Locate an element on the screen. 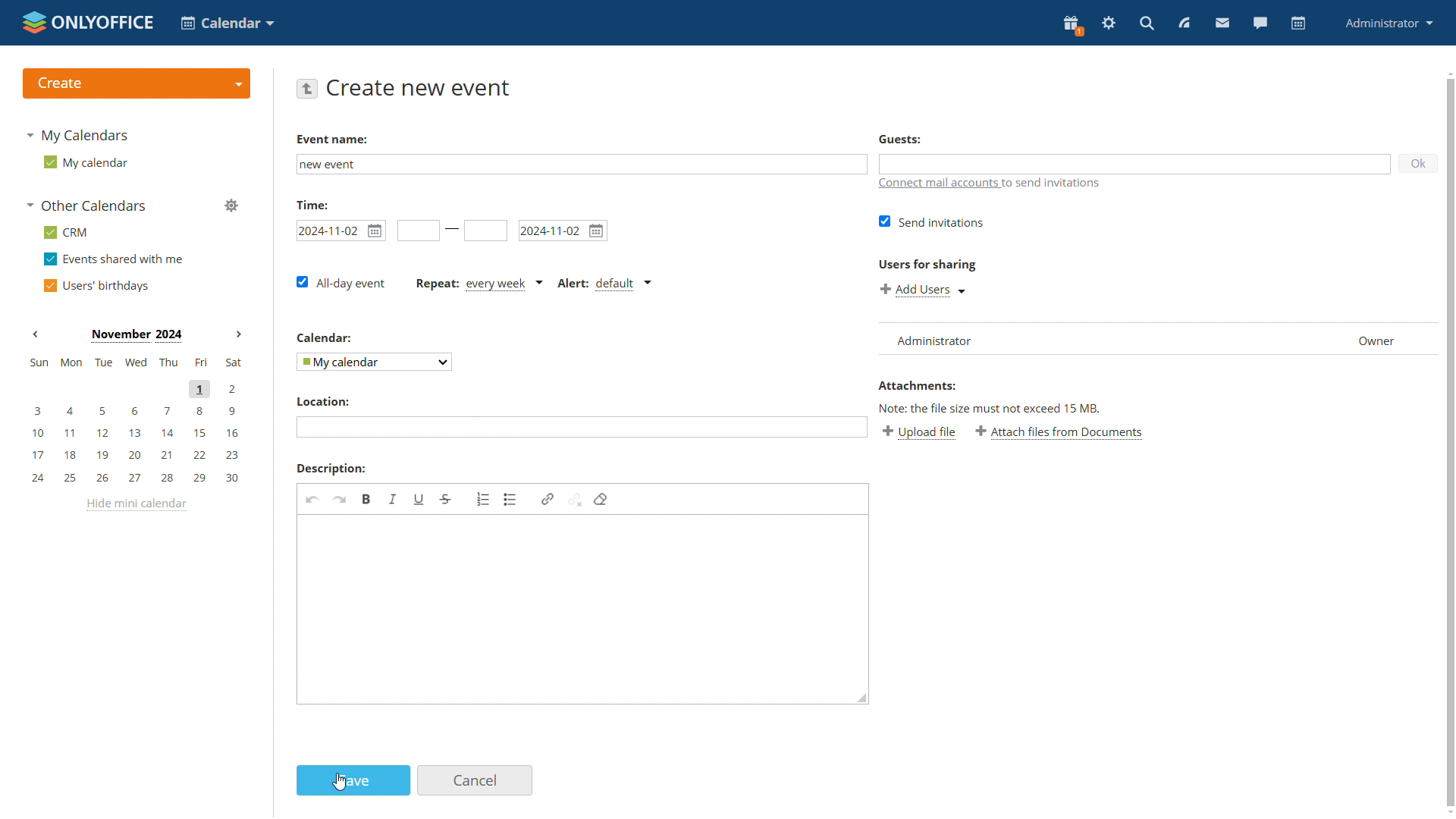  crm is located at coordinates (67, 232).